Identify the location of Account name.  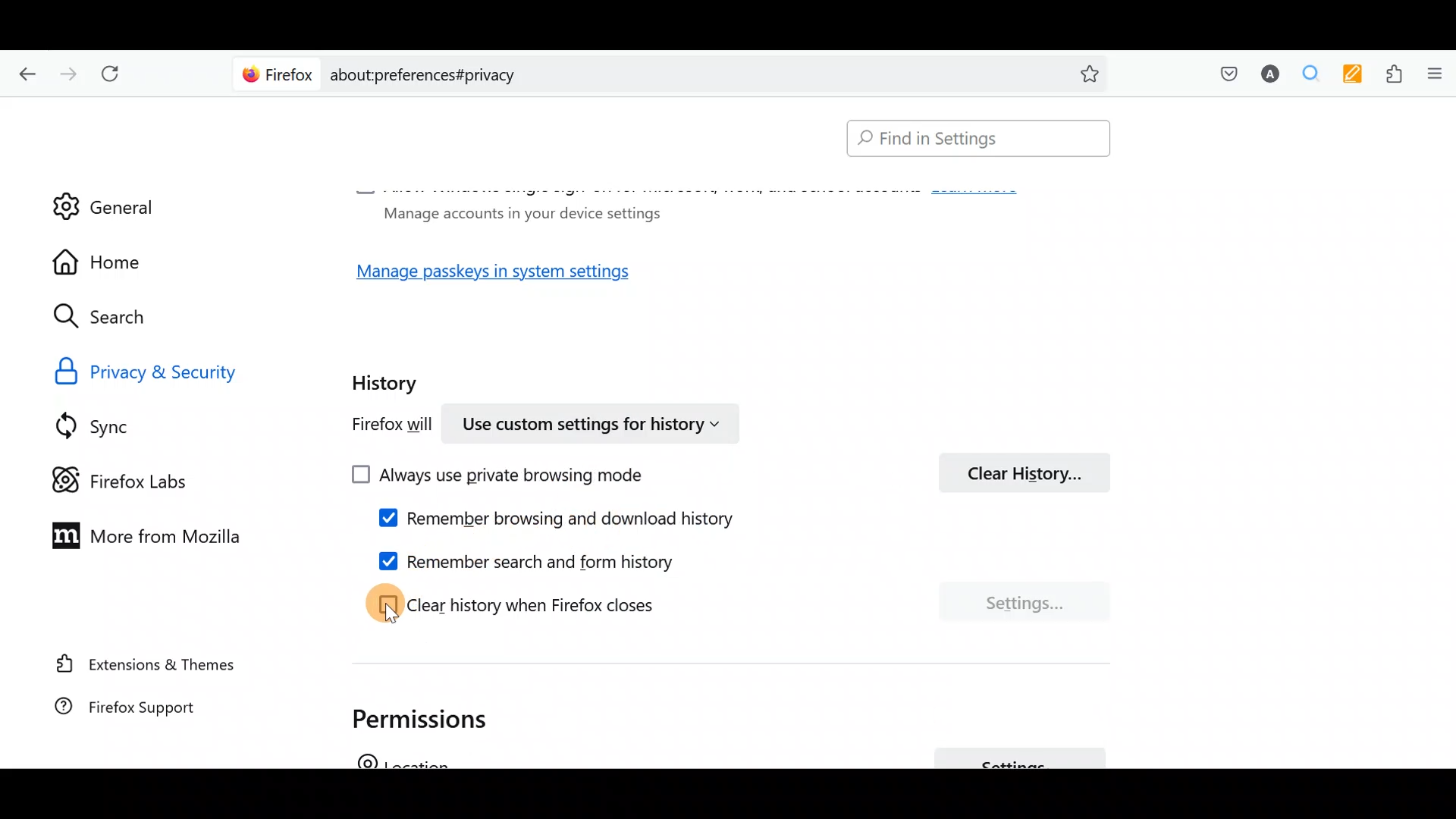
(1266, 76).